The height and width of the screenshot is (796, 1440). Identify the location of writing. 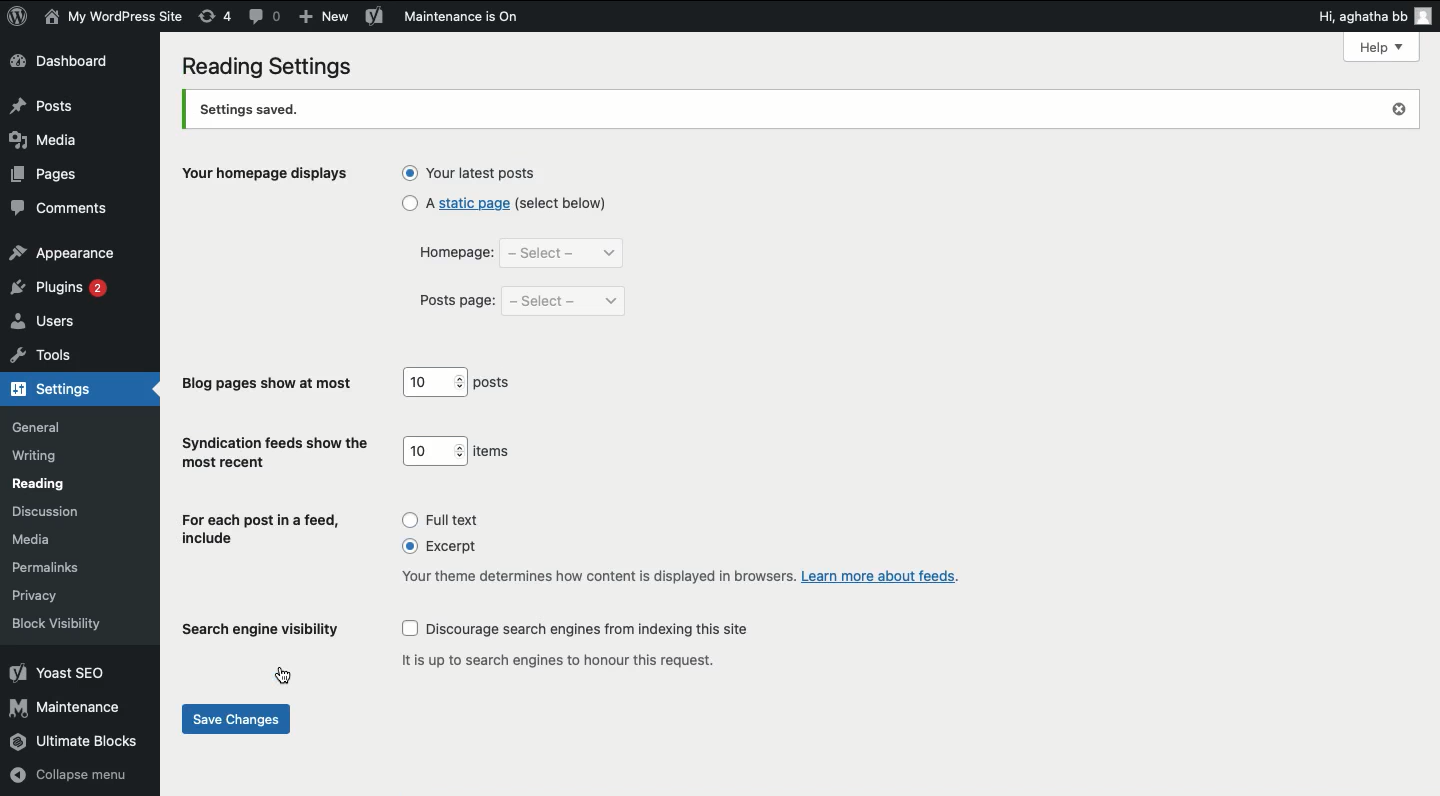
(36, 455).